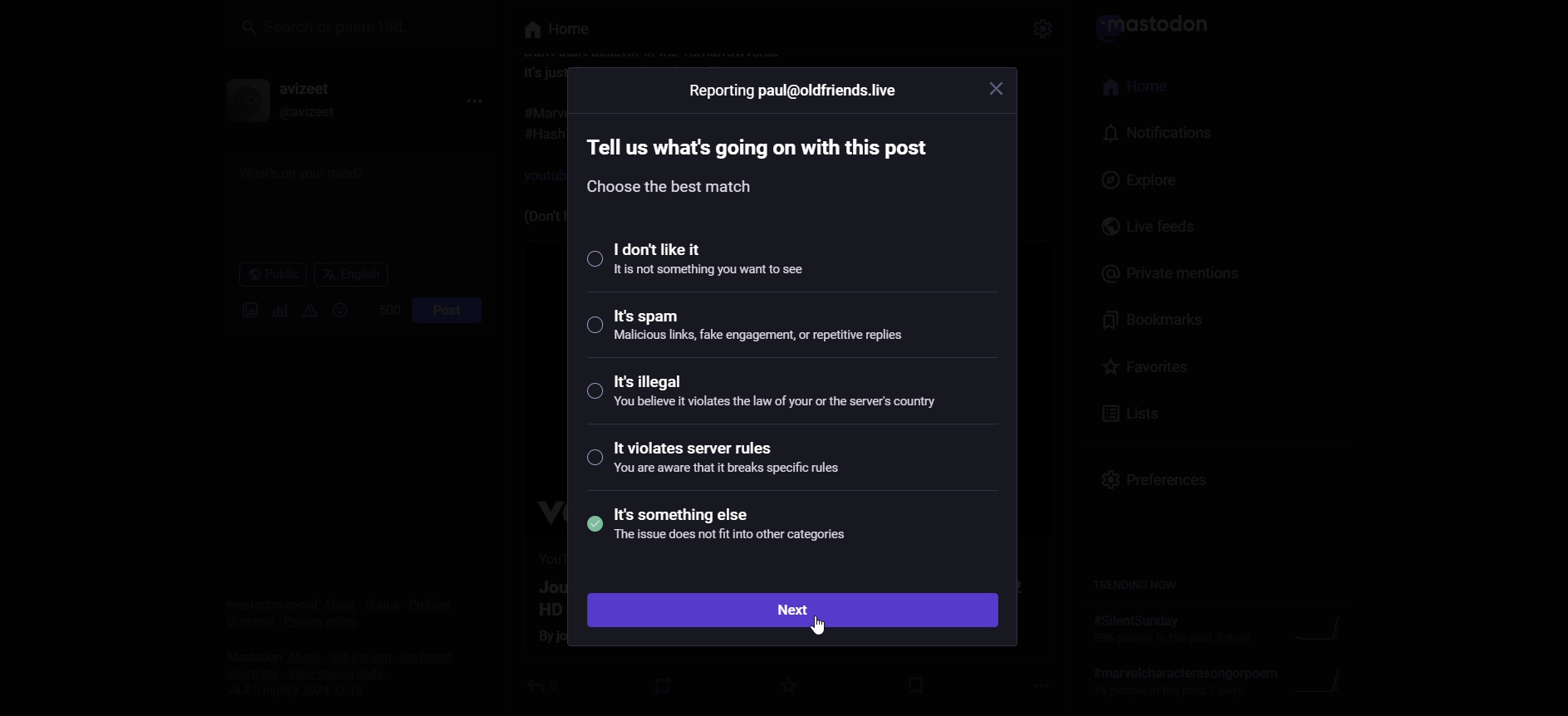 This screenshot has width=1568, height=716. What do you see at coordinates (1169, 274) in the screenshot?
I see `private mentions` at bounding box center [1169, 274].